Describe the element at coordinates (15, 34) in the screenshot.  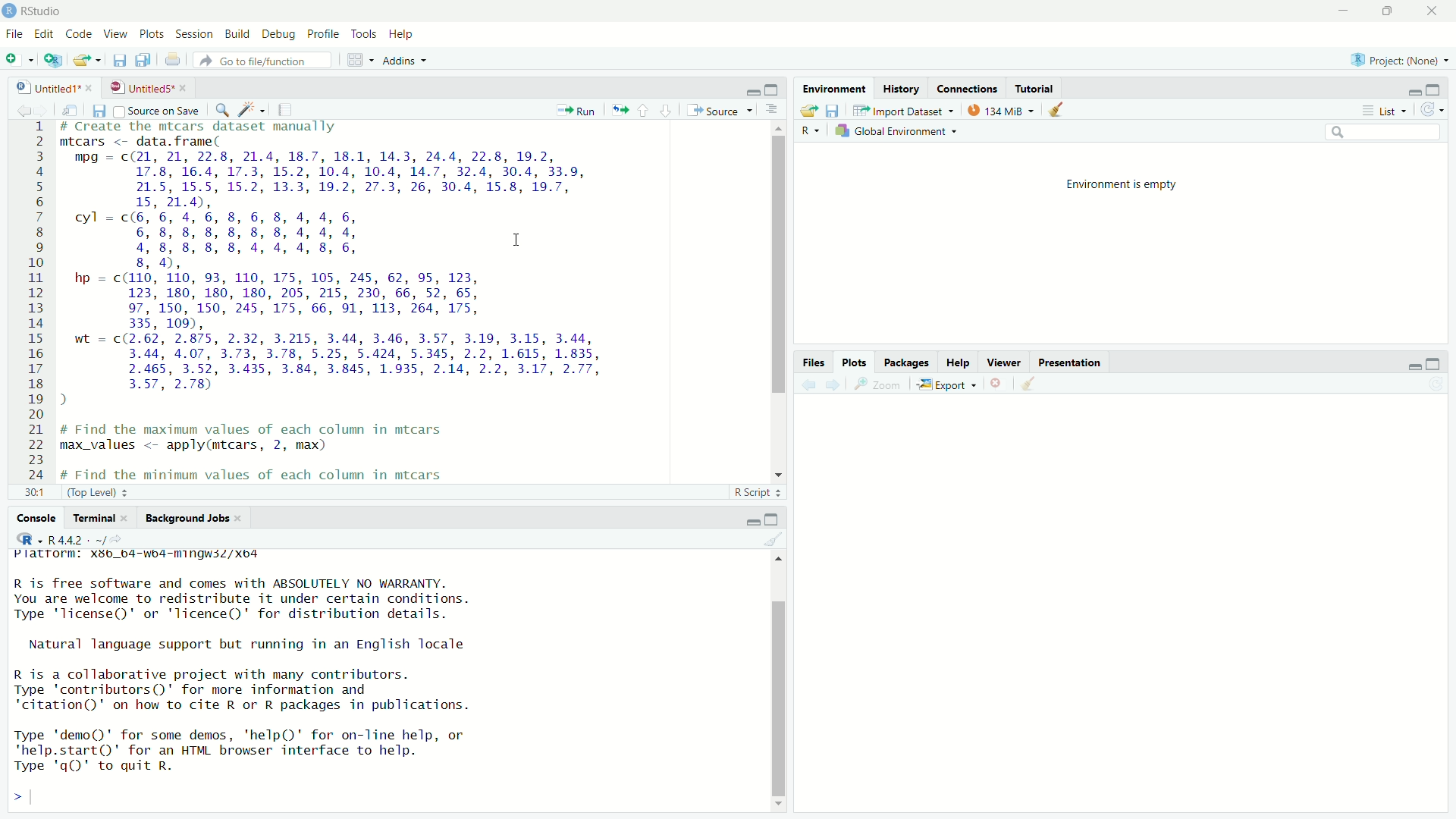
I see `File` at that location.